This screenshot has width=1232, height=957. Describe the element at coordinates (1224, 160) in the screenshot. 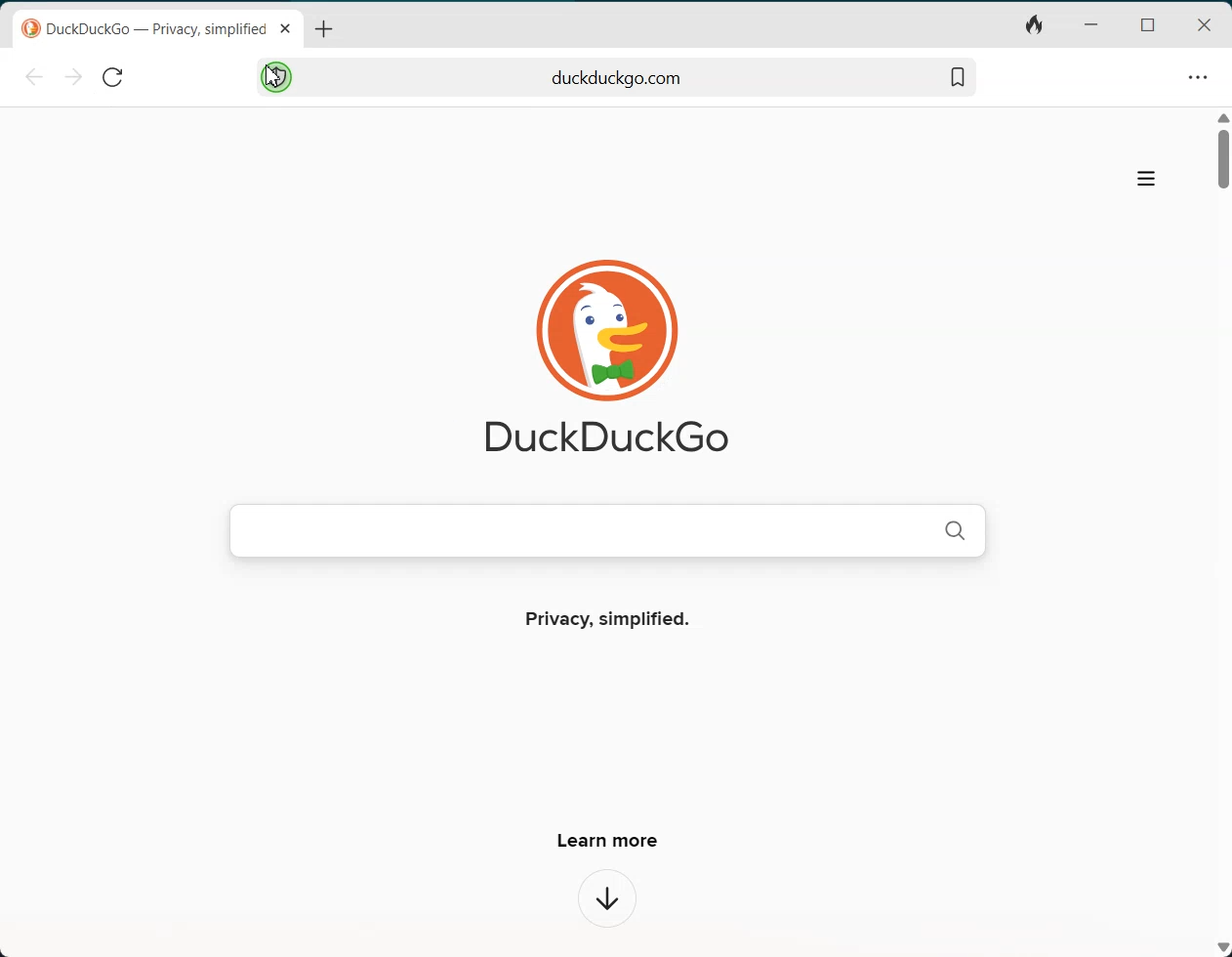

I see `vertical scrollbar` at that location.